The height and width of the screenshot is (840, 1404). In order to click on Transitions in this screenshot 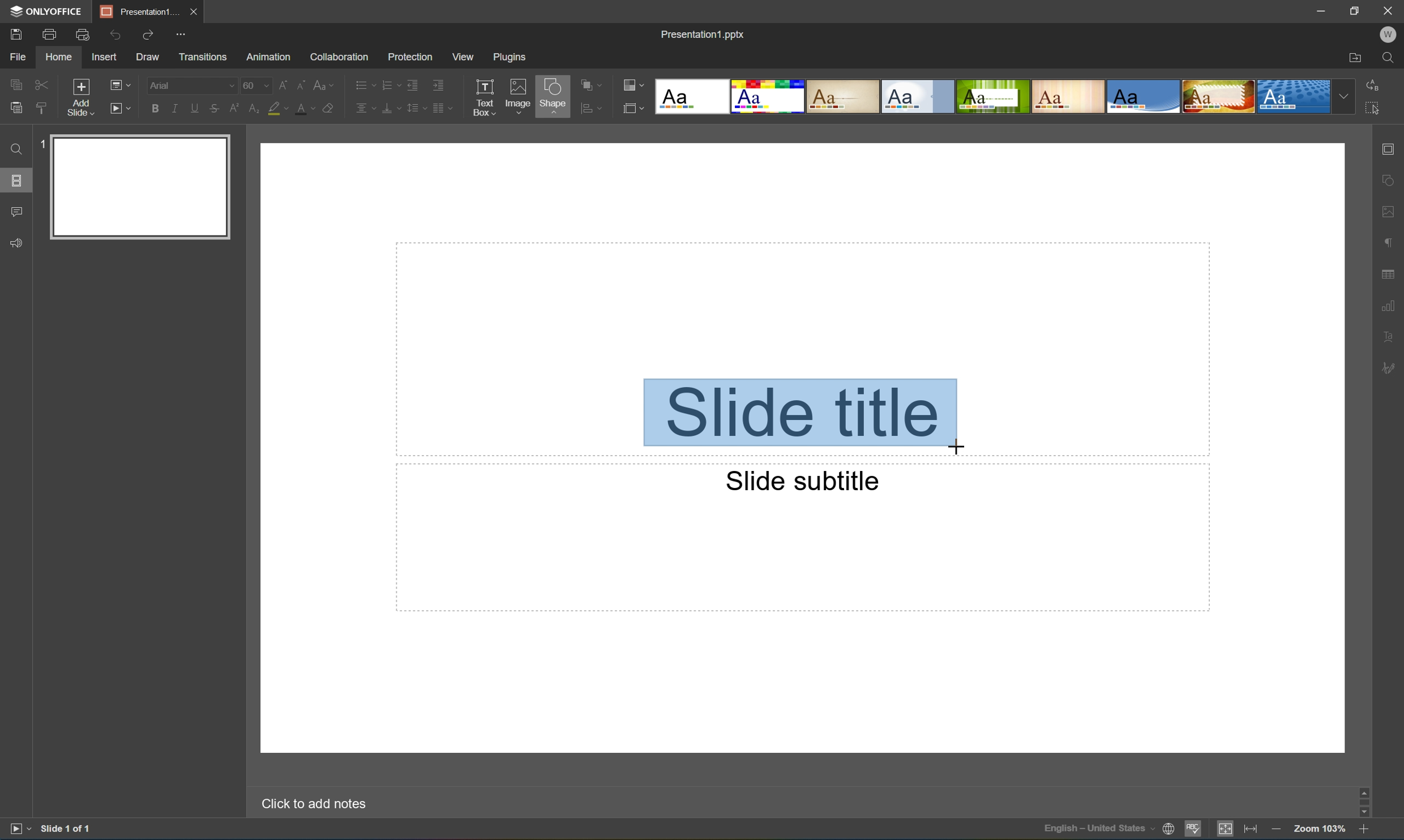, I will do `click(201, 57)`.